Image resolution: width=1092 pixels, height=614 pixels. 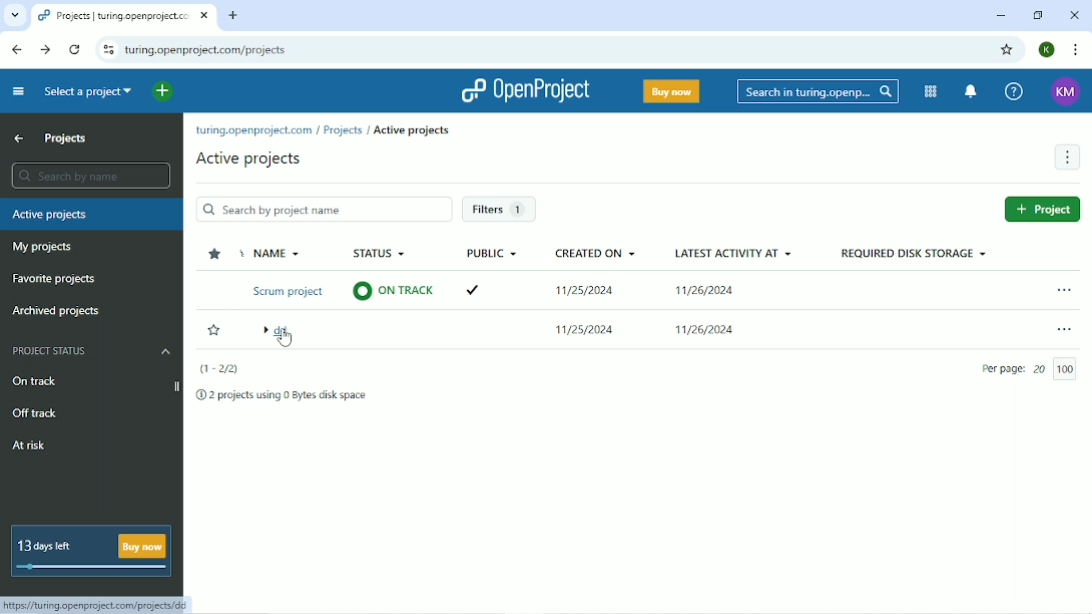 What do you see at coordinates (220, 369) in the screenshot?
I see `(1-2/2)` at bounding box center [220, 369].